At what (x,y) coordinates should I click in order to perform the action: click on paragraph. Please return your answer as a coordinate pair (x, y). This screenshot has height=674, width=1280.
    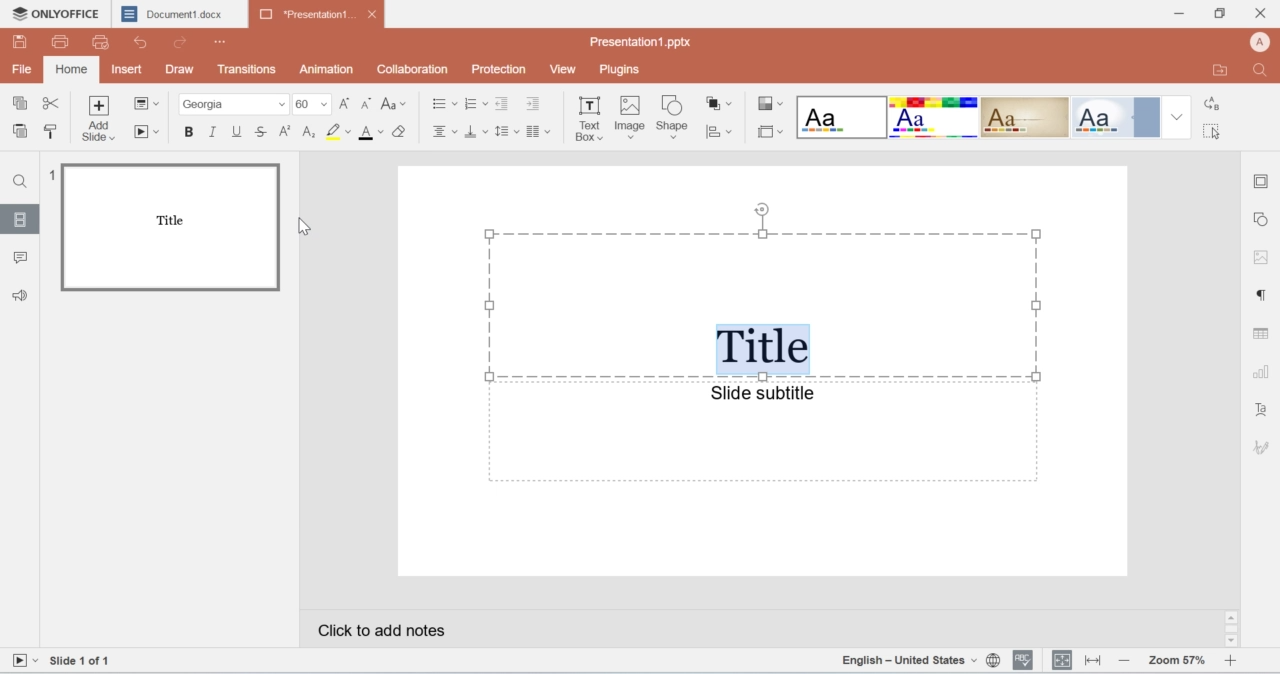
    Looking at the image, I should click on (539, 132).